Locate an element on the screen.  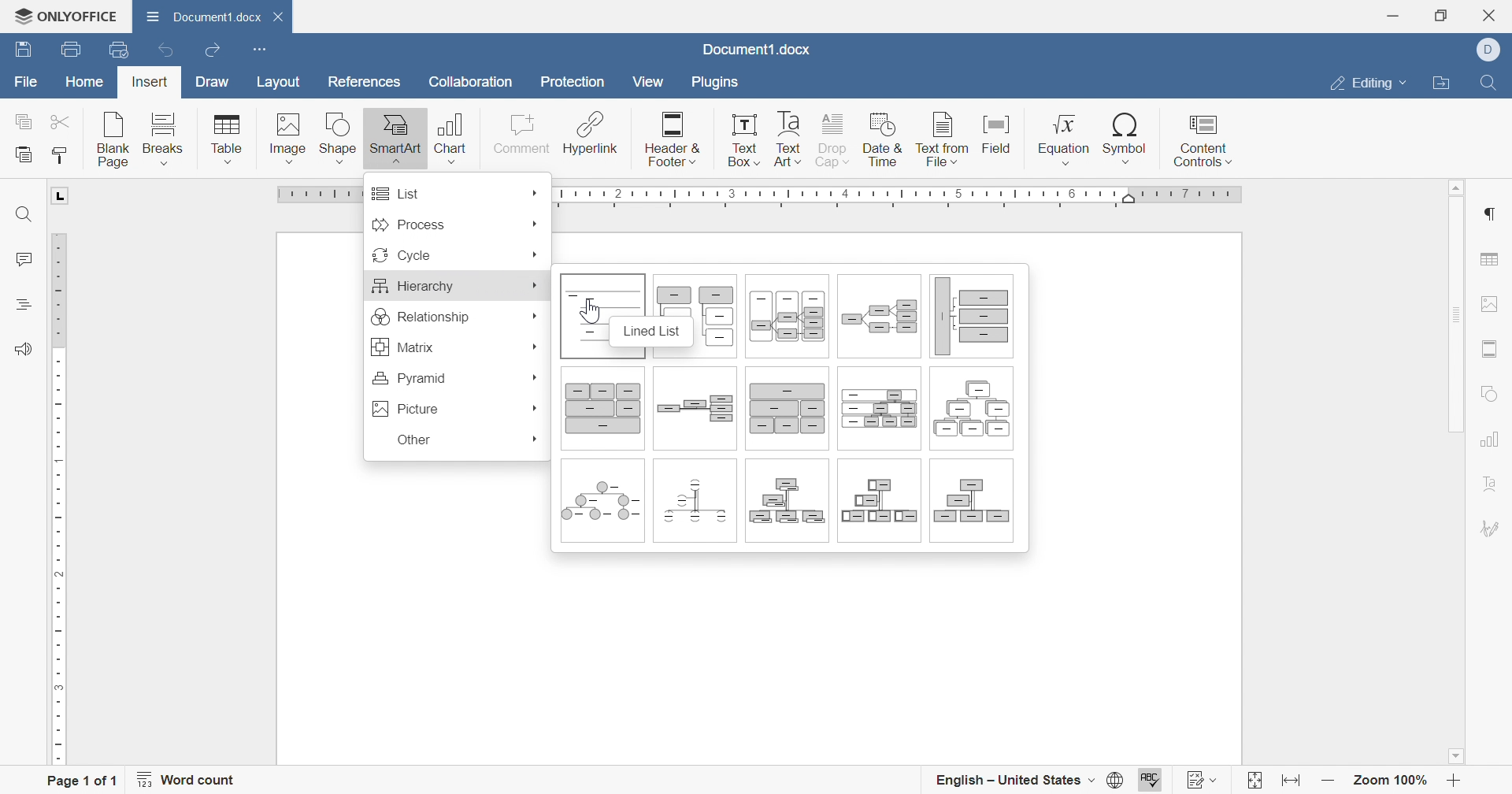
Ruler is located at coordinates (57, 477).